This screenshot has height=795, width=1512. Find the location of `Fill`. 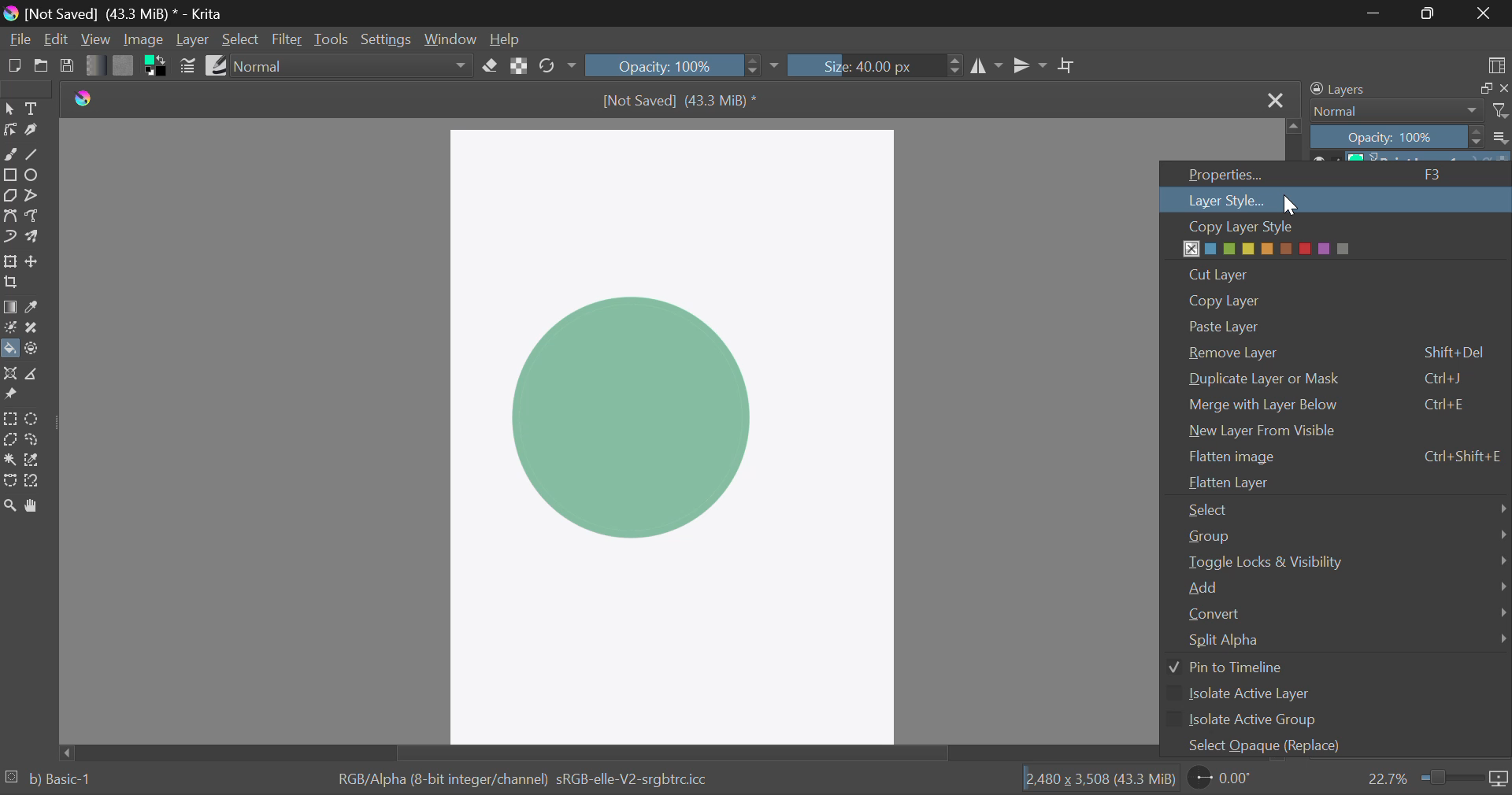

Fill is located at coordinates (9, 349).